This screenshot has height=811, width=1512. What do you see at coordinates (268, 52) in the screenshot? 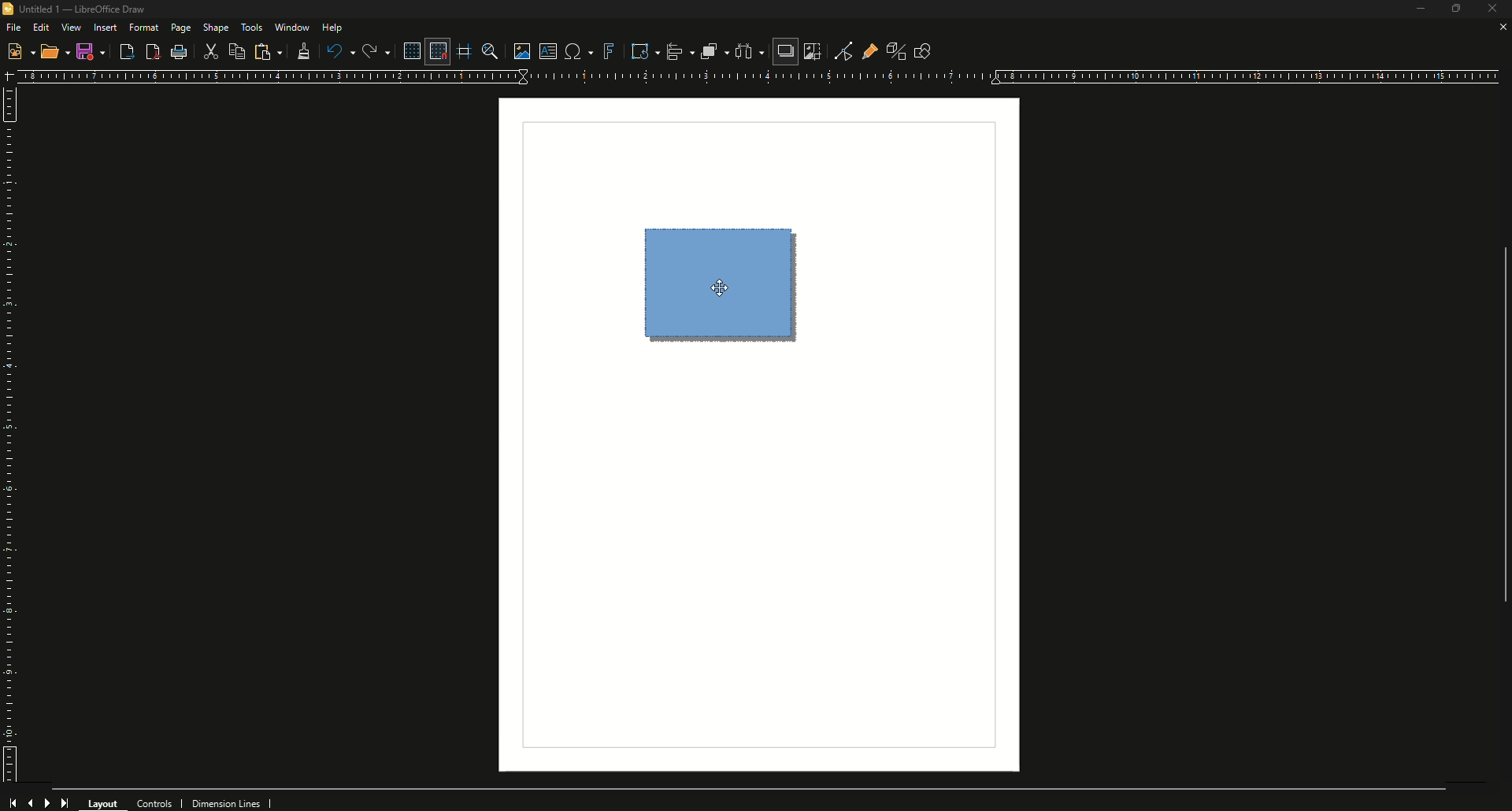
I see `Paste` at bounding box center [268, 52].